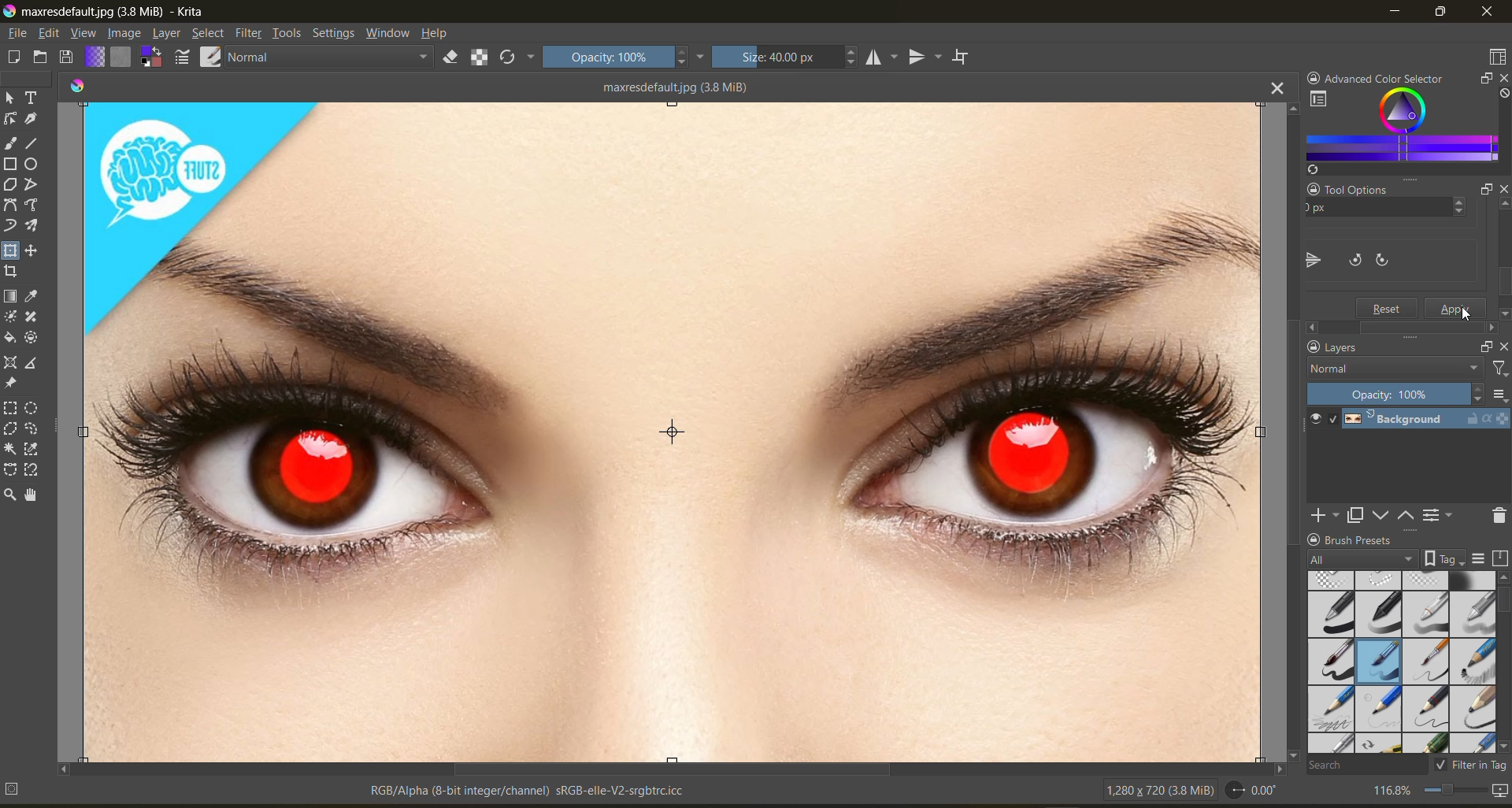 The image size is (1512, 808). I want to click on edit, so click(54, 34).